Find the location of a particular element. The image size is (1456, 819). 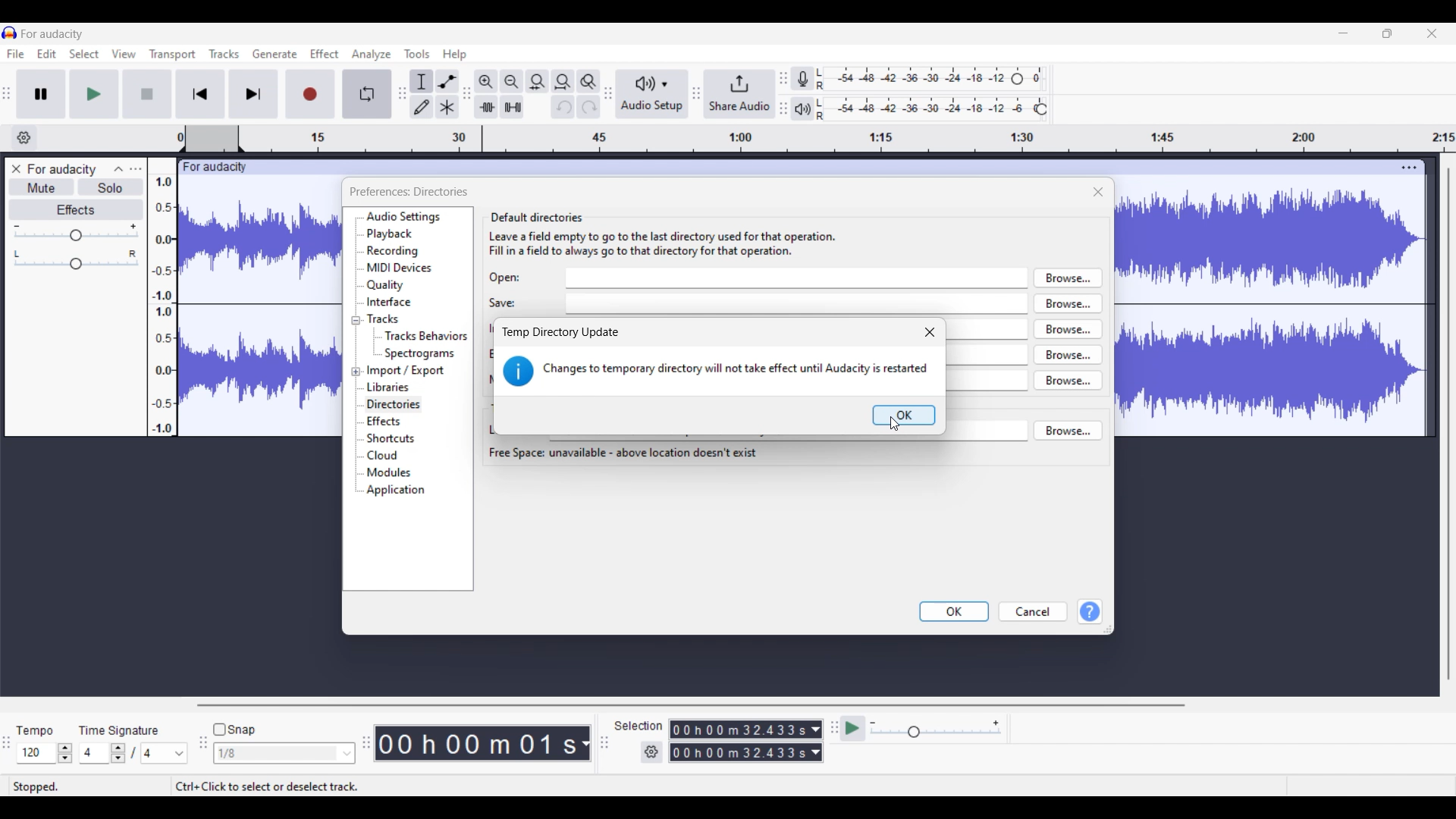

Measurement is located at coordinates (585, 744).